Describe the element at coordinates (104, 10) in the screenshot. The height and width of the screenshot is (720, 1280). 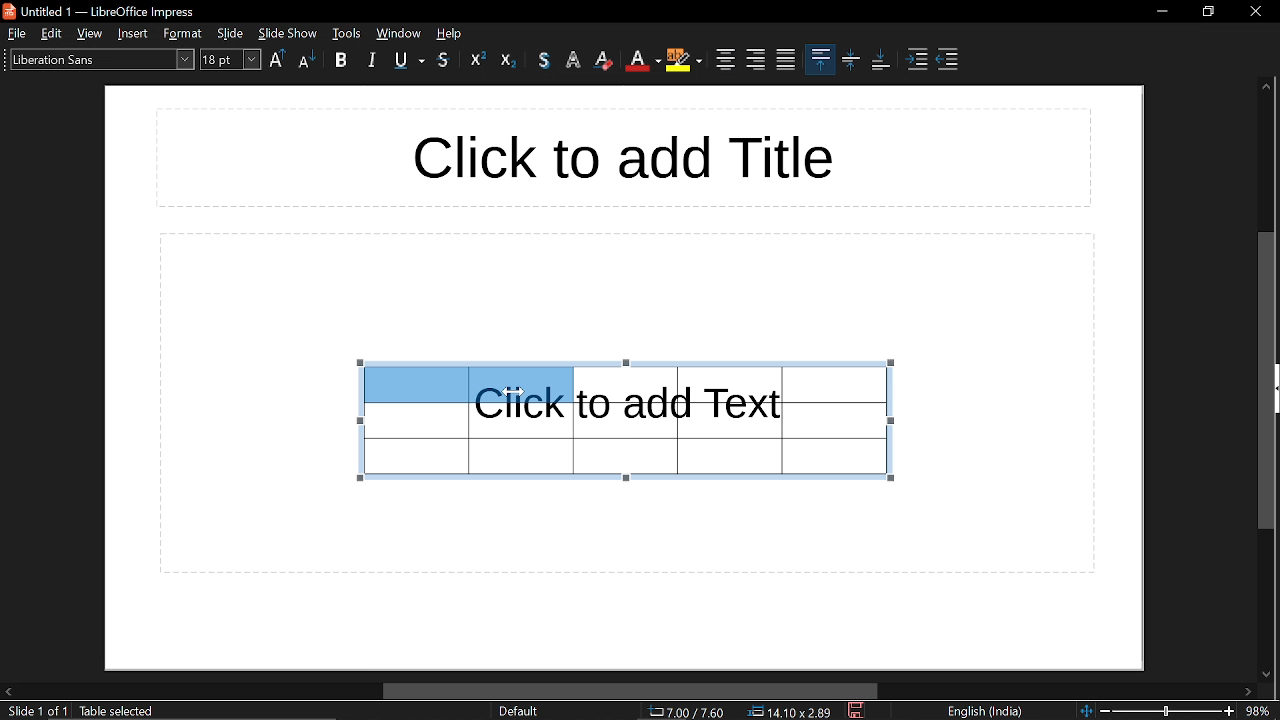
I see `untitled 1- libreoffice impress` at that location.